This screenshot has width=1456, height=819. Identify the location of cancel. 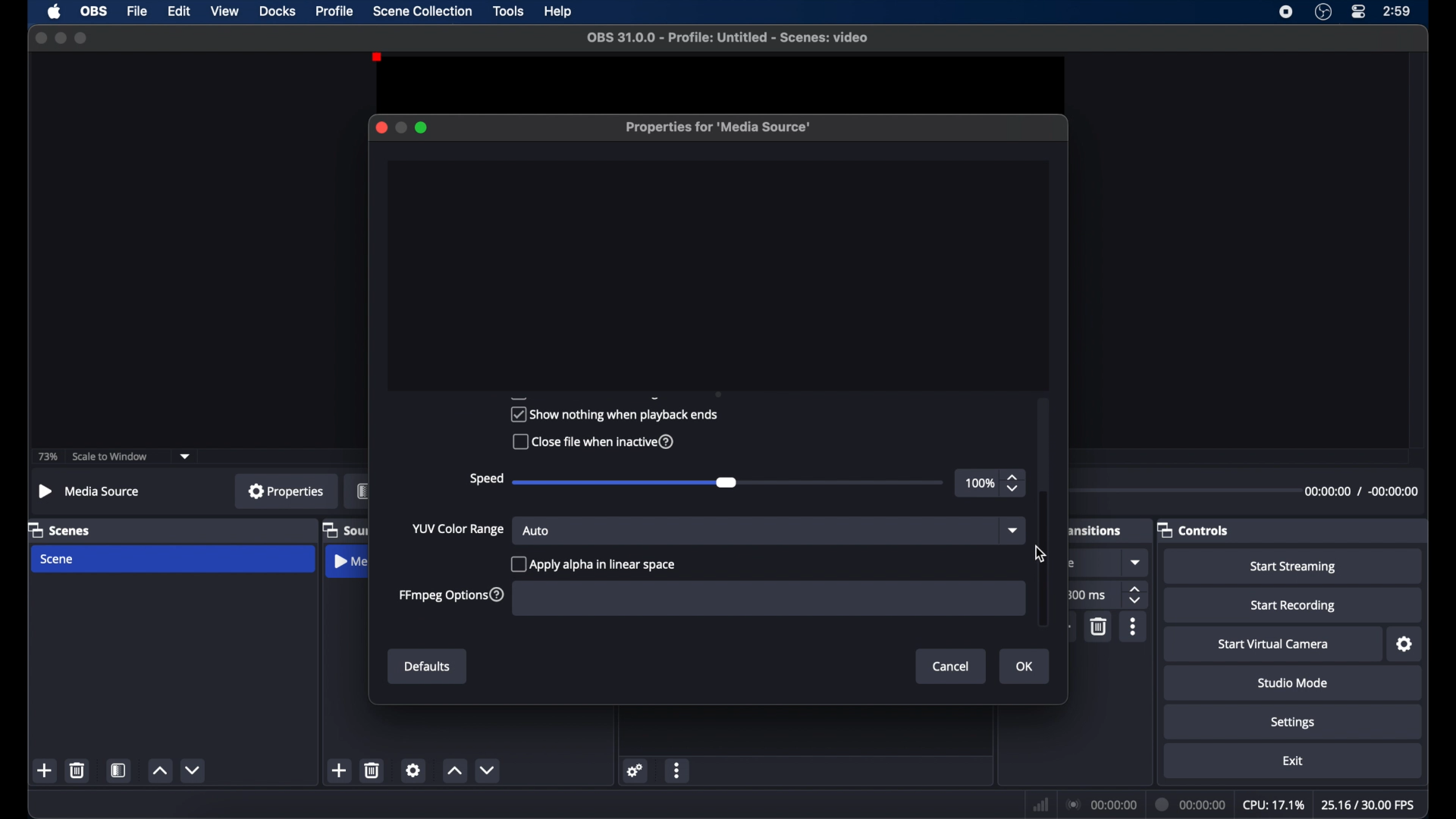
(952, 667).